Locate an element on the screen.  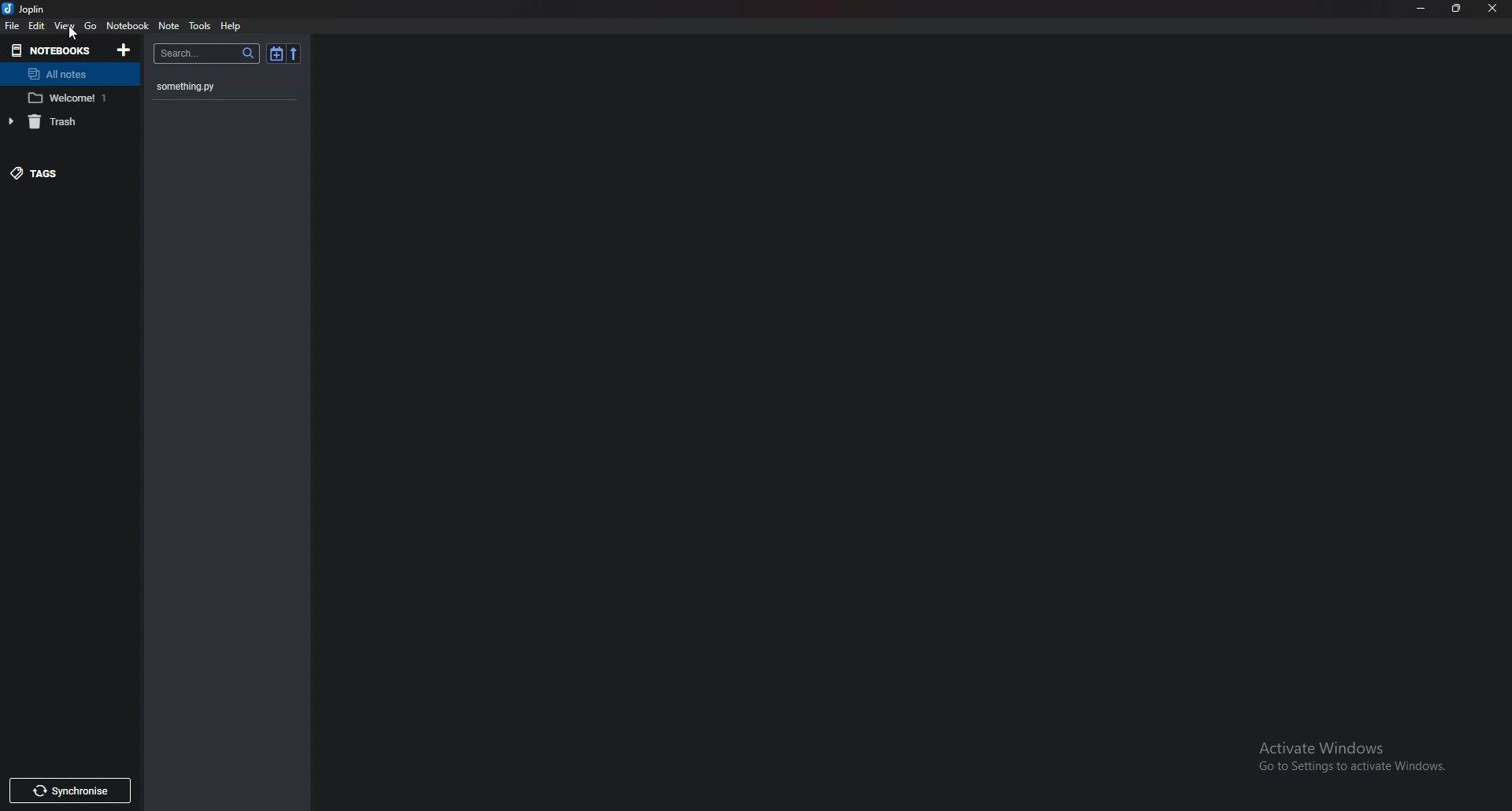
search is located at coordinates (206, 53).